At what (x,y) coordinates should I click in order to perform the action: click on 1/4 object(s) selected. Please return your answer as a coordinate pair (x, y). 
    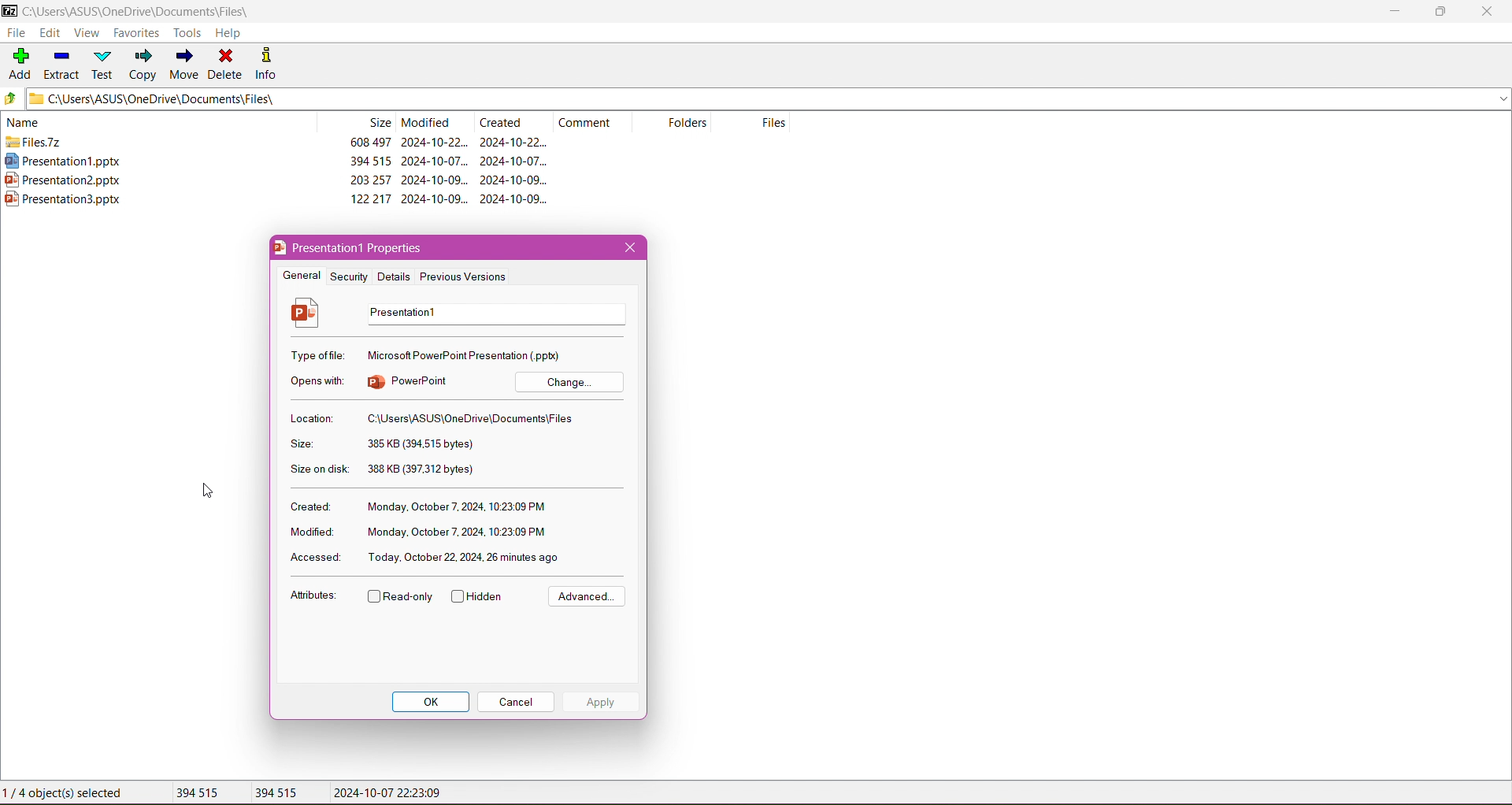
    Looking at the image, I should click on (65, 792).